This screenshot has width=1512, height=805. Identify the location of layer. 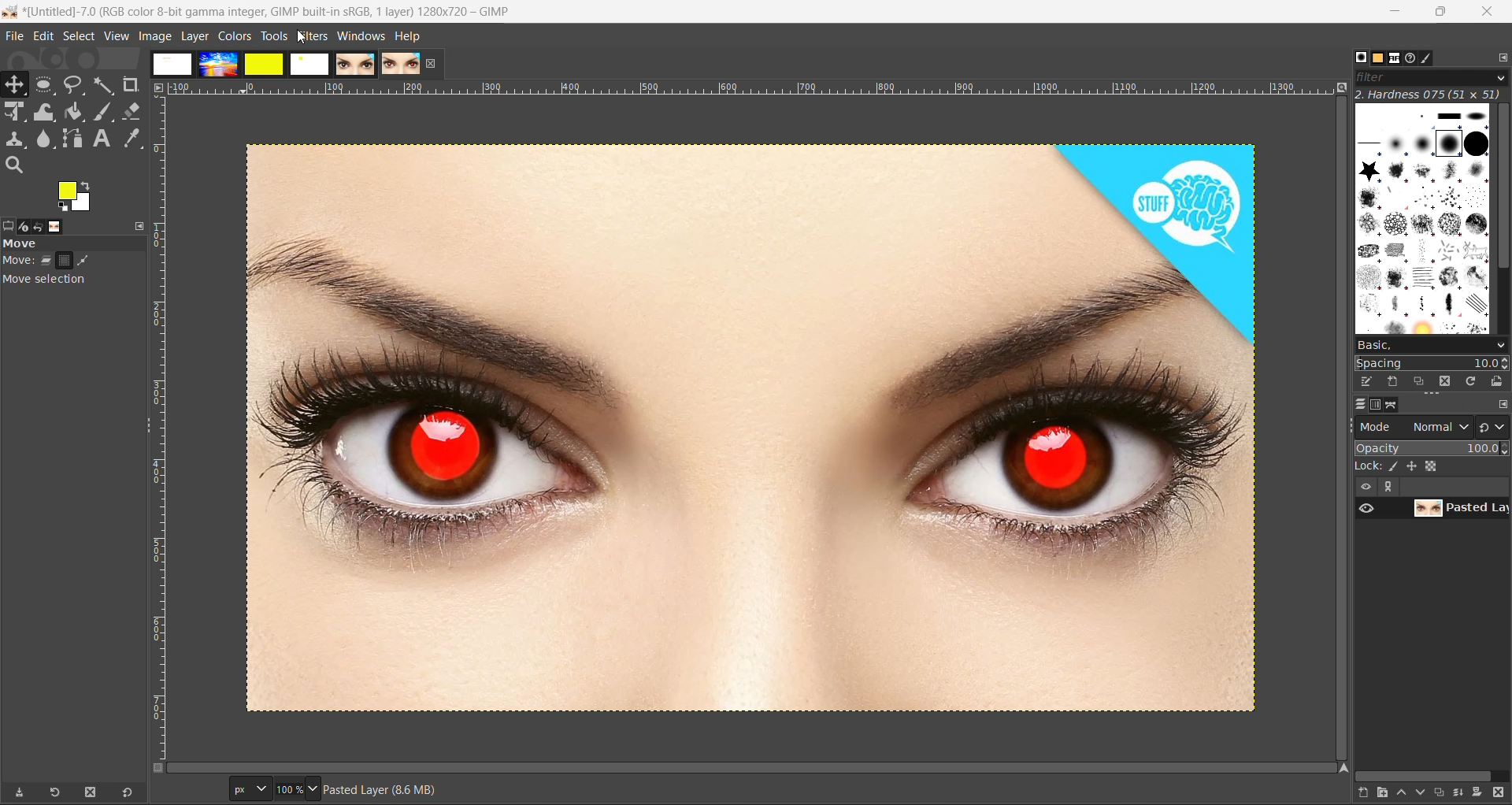
(194, 37).